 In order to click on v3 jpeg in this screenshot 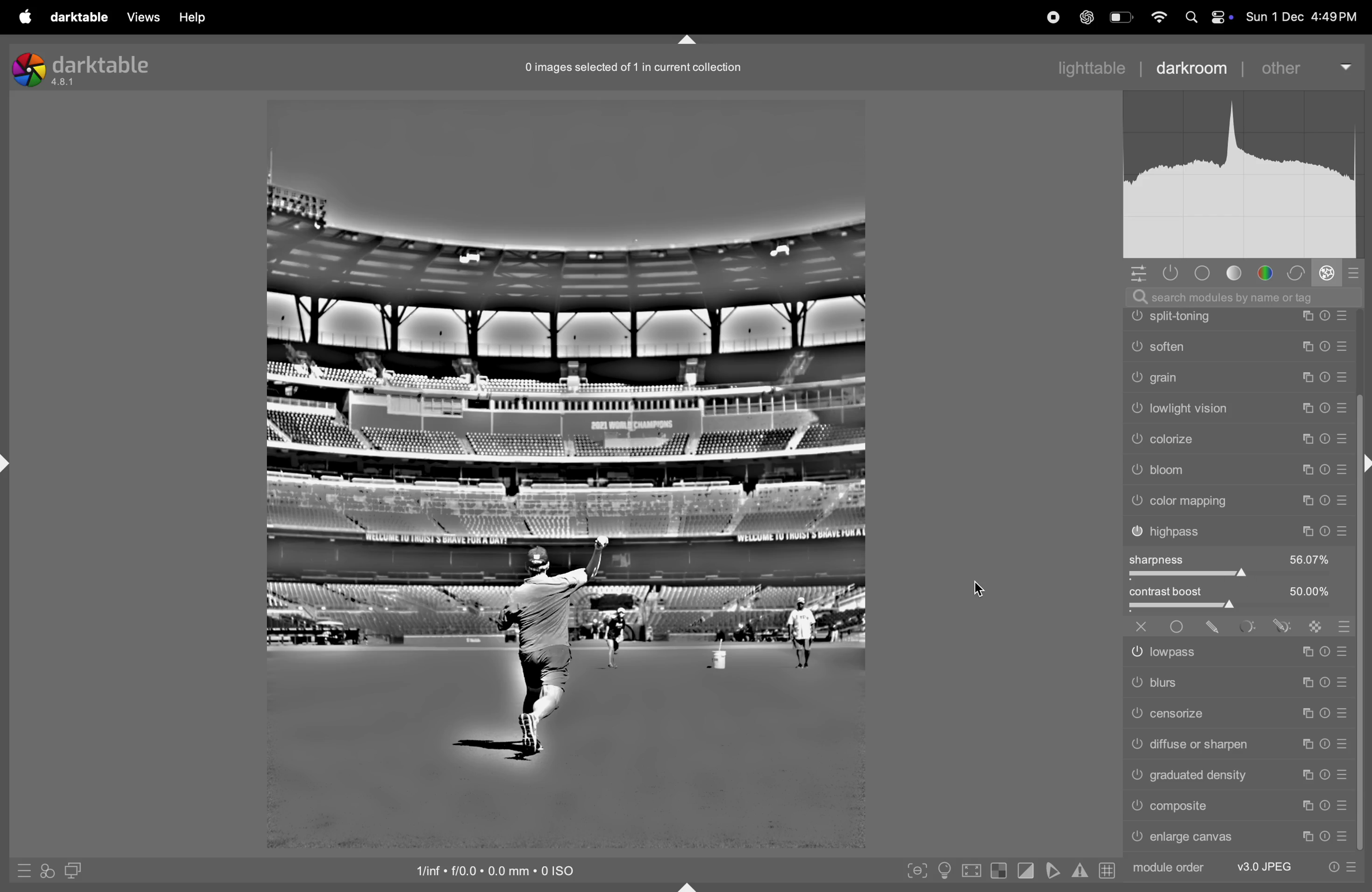, I will do `click(1262, 865)`.